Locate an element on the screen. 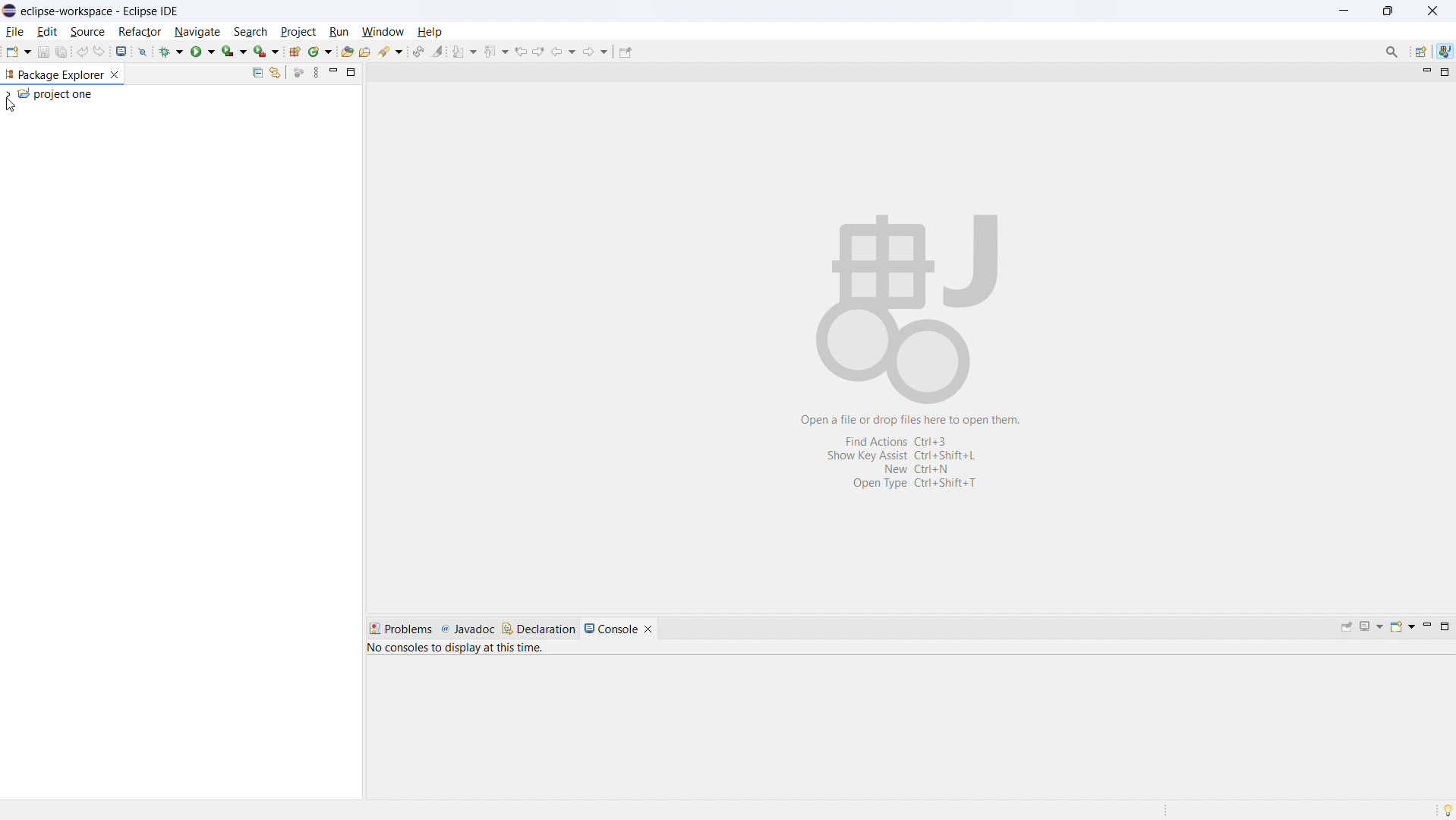  problems is located at coordinates (404, 626).